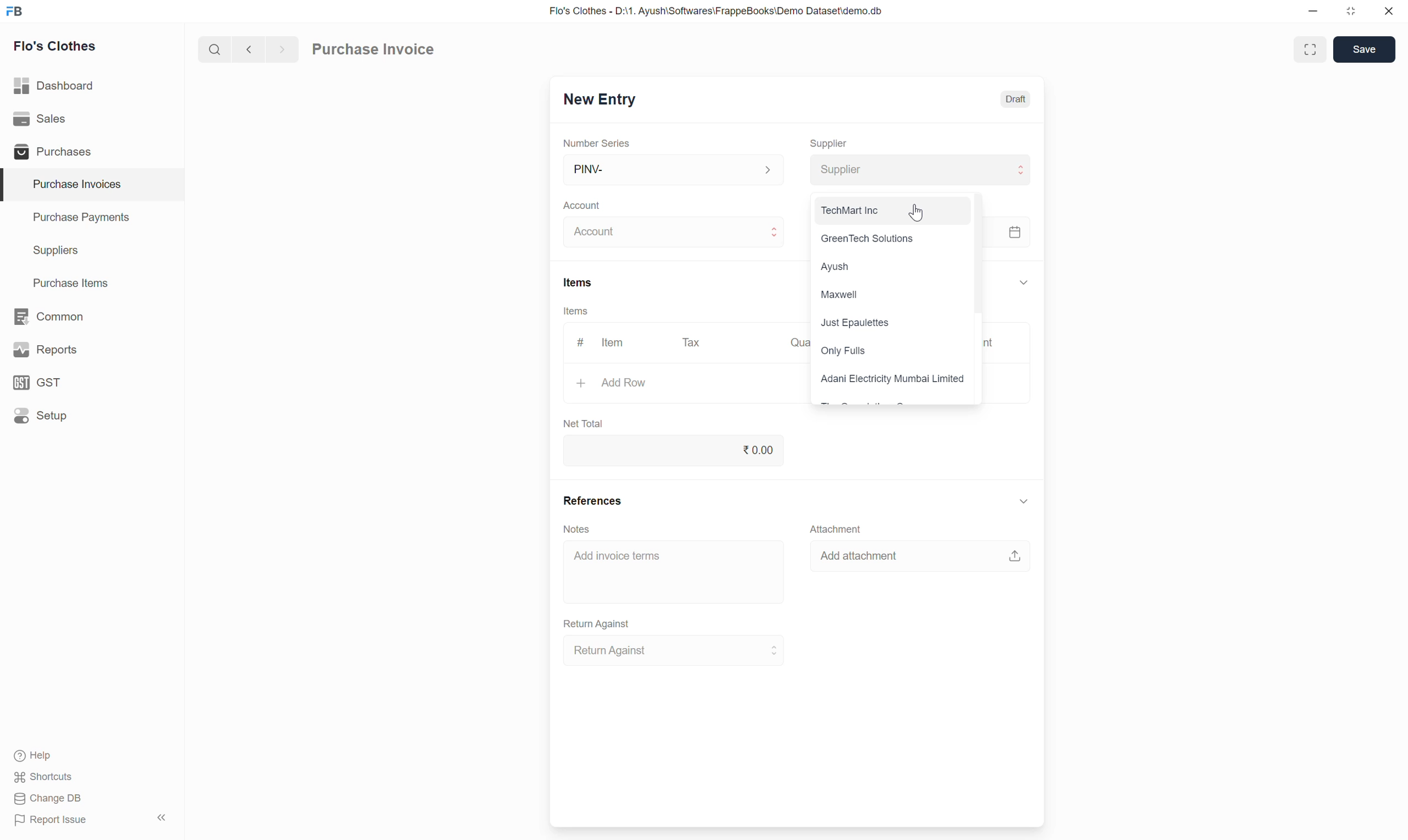  I want to click on Flo's Clothes - D:\1. Ayush\Softwares\FrappeBooks\Demo Dataset\demo.db, so click(716, 10).